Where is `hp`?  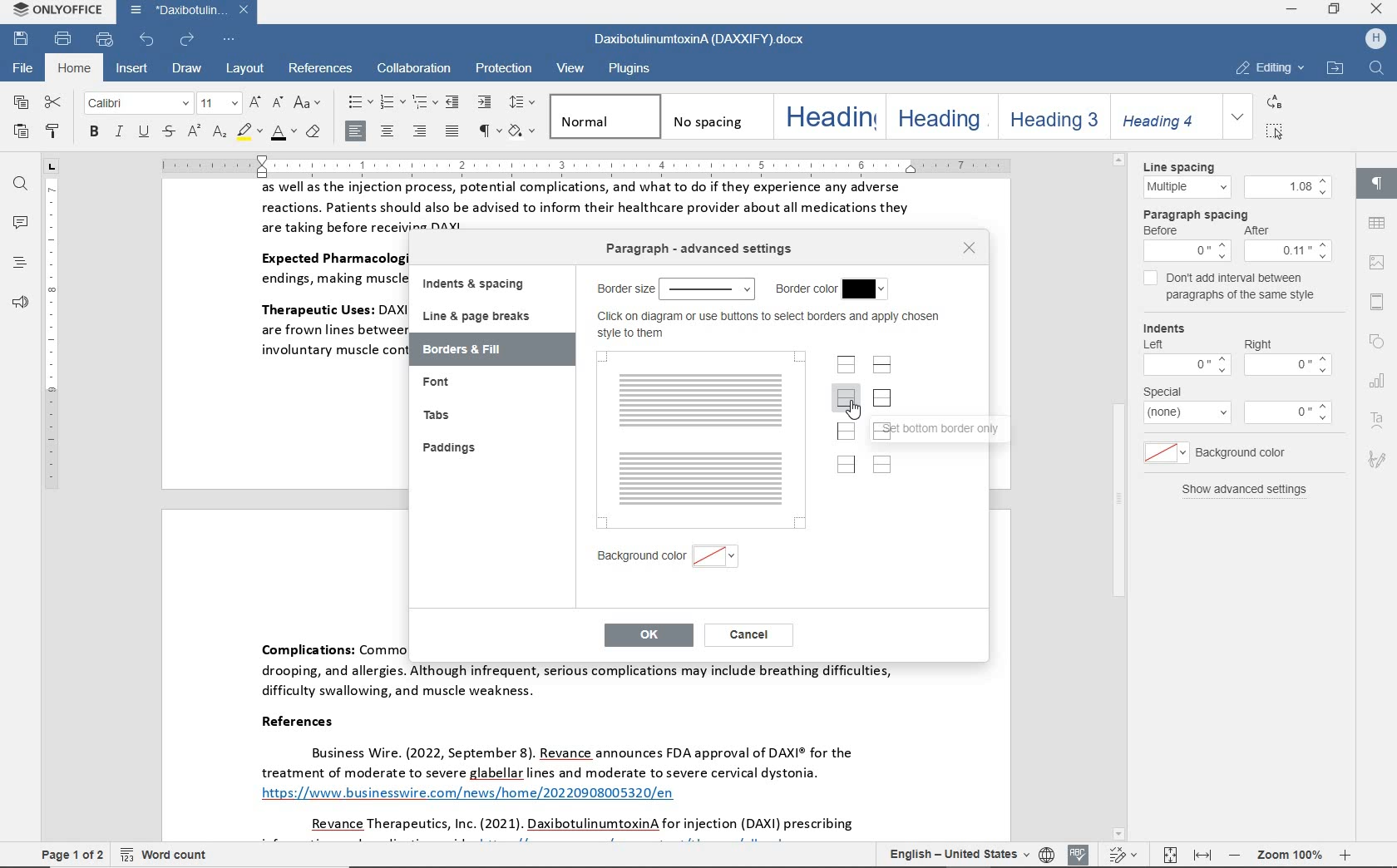
hp is located at coordinates (1372, 40).